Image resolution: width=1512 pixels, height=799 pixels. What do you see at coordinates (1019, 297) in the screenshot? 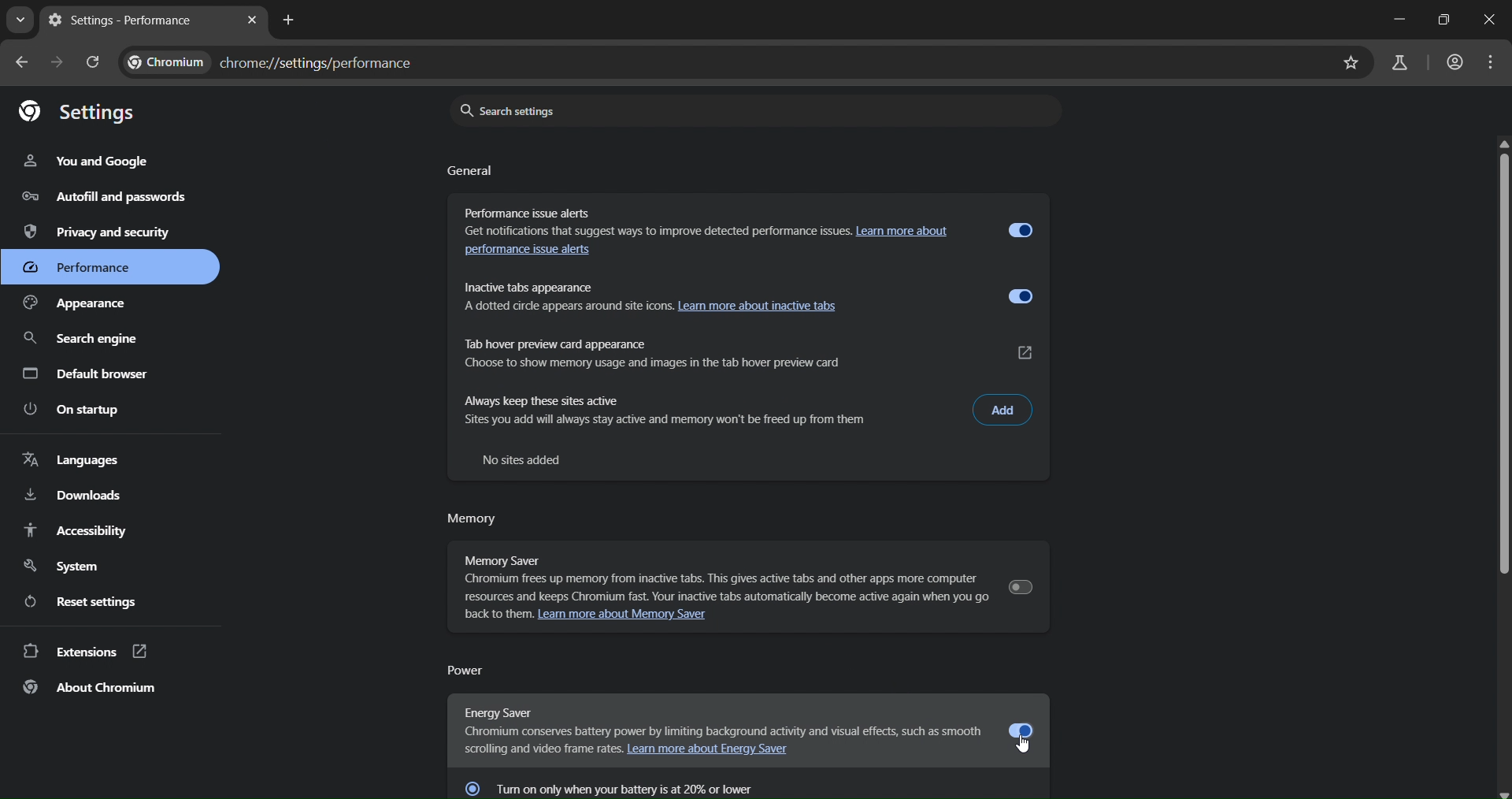
I see `toggle button` at bounding box center [1019, 297].